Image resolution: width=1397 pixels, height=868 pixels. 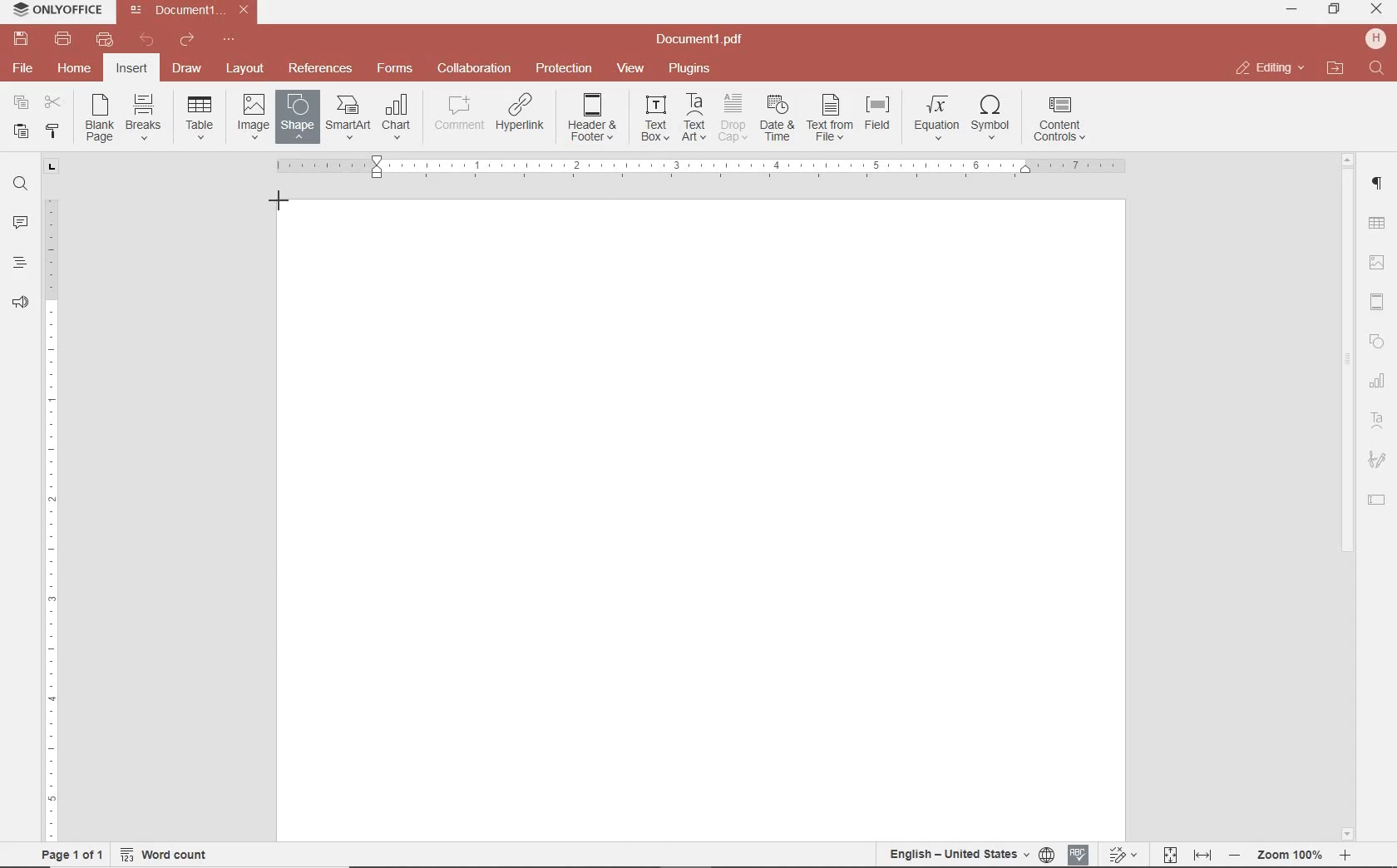 I want to click on zoom in and out, so click(x=1290, y=856).